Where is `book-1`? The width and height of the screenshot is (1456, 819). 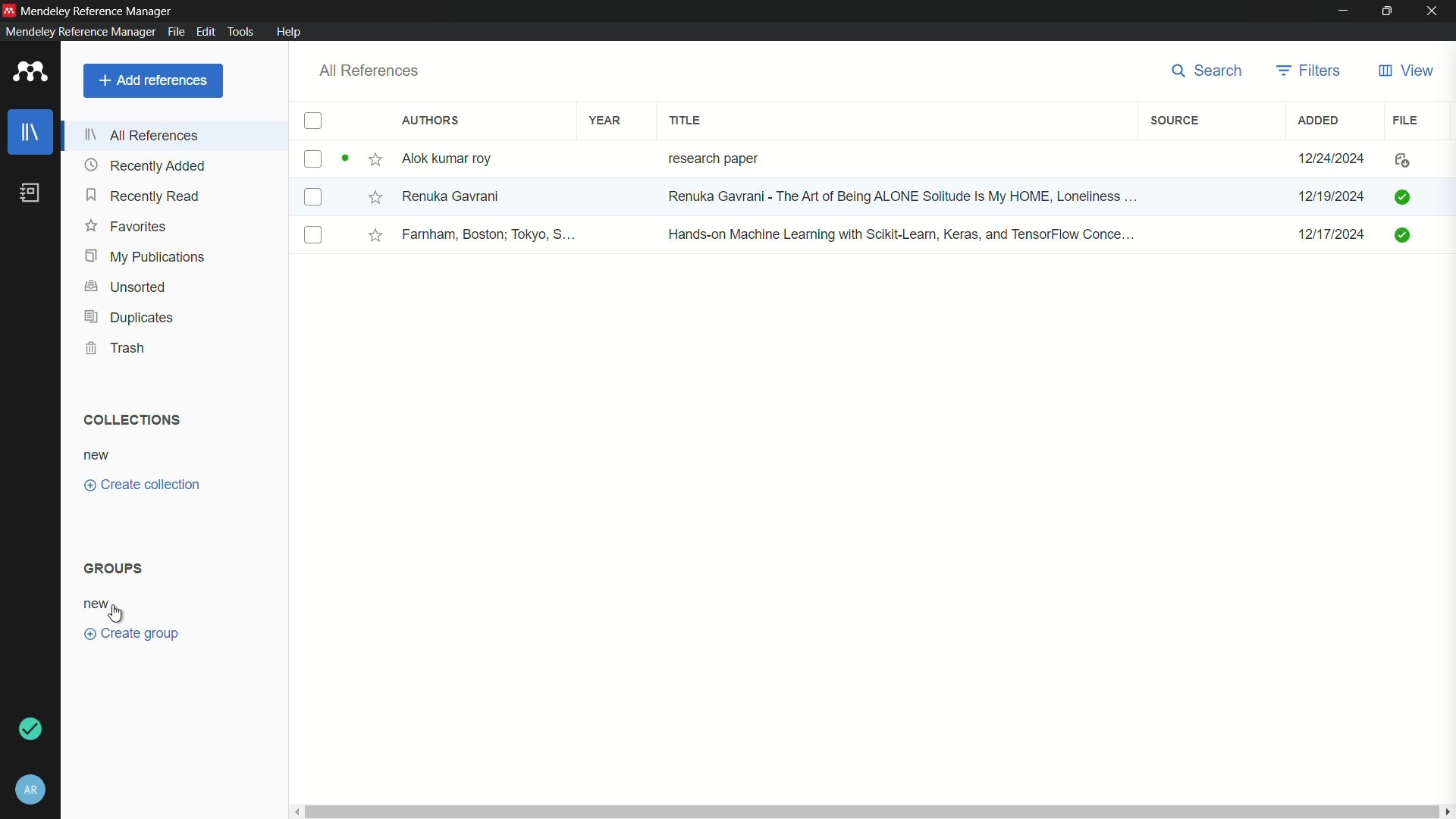
book-1 is located at coordinates (312, 158).